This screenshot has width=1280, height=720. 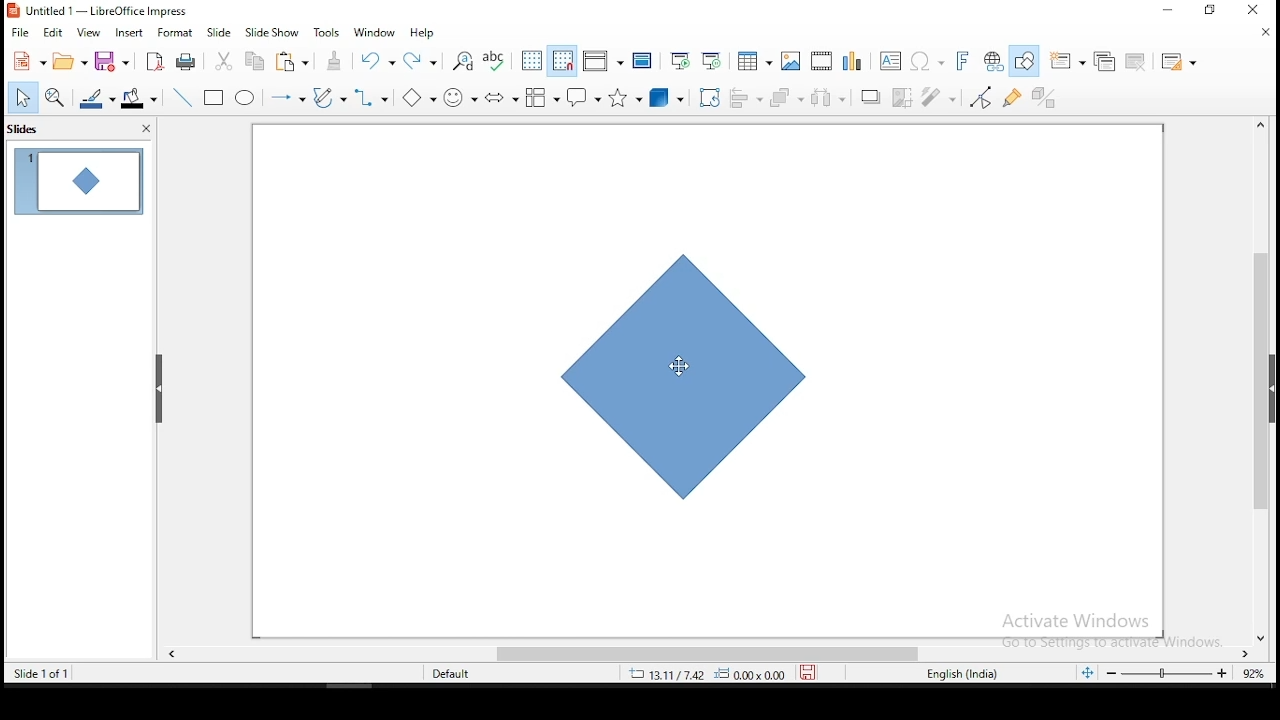 I want to click on slide, so click(x=217, y=31).